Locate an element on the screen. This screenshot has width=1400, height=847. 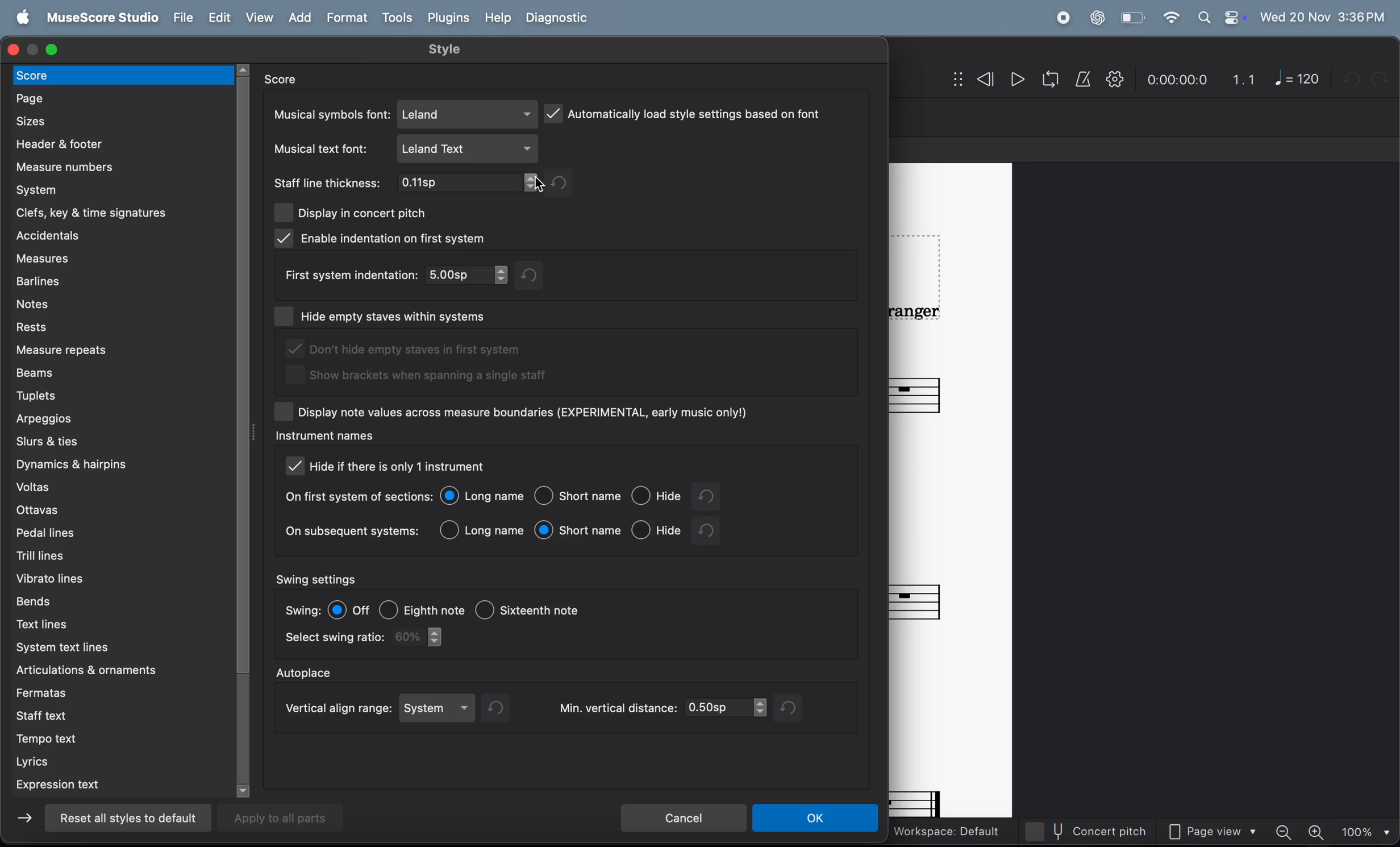
apple menu is located at coordinates (19, 18).